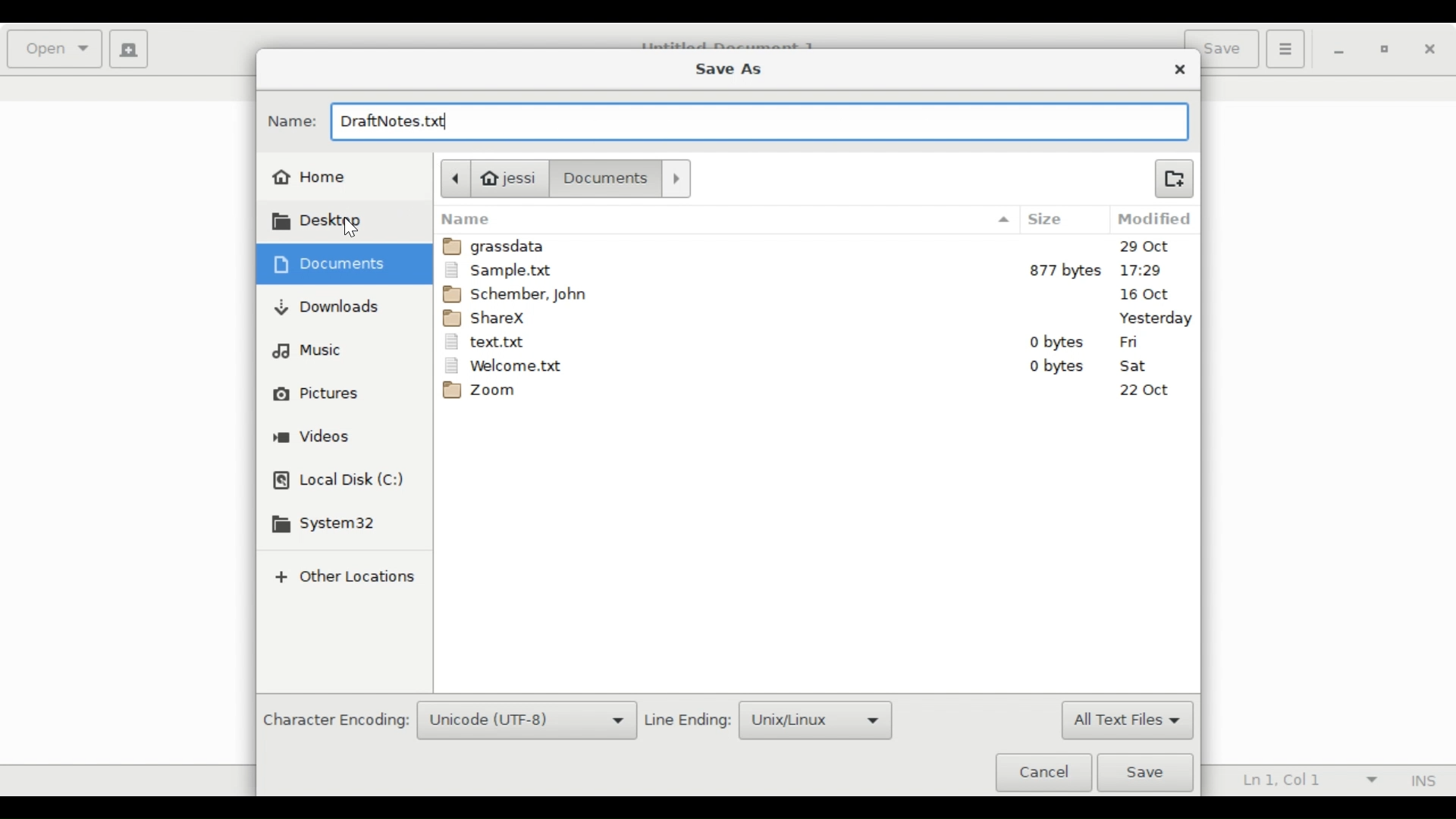 Image resolution: width=1456 pixels, height=819 pixels. I want to click on Save As, so click(727, 67).